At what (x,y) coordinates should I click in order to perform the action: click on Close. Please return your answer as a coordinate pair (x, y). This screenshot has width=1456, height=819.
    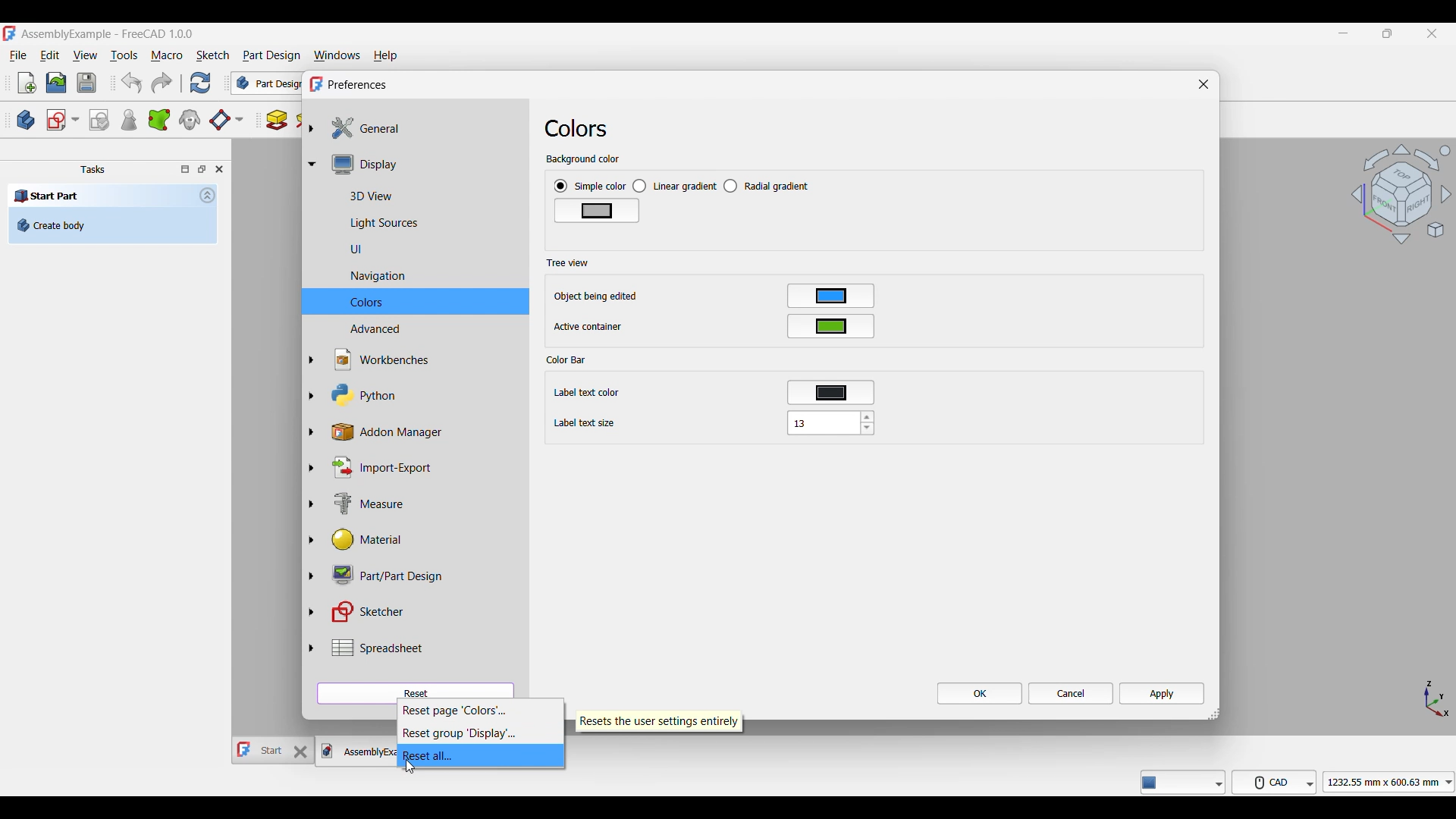
    Looking at the image, I should click on (1204, 83).